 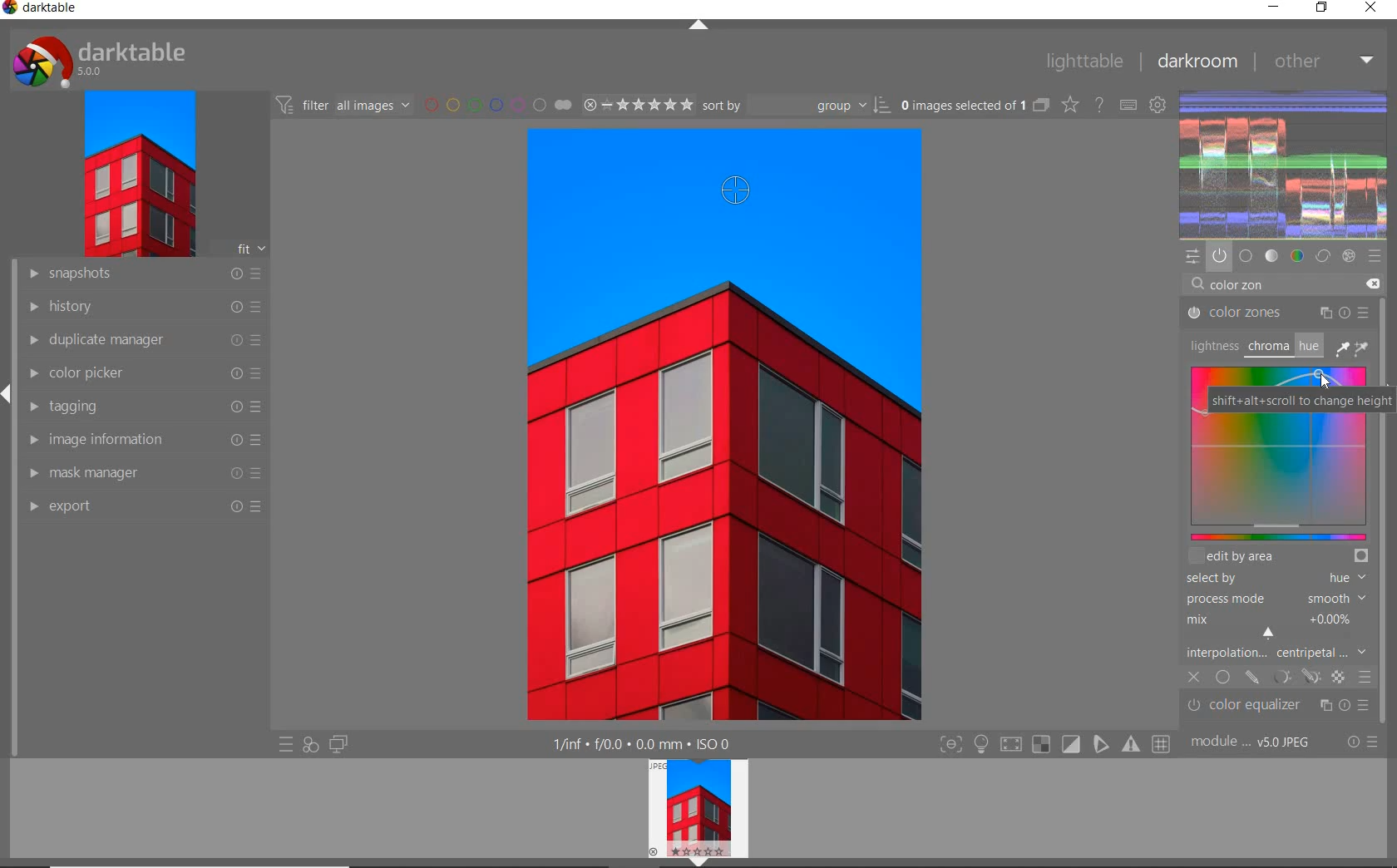 What do you see at coordinates (1219, 255) in the screenshot?
I see `show only active modules` at bounding box center [1219, 255].